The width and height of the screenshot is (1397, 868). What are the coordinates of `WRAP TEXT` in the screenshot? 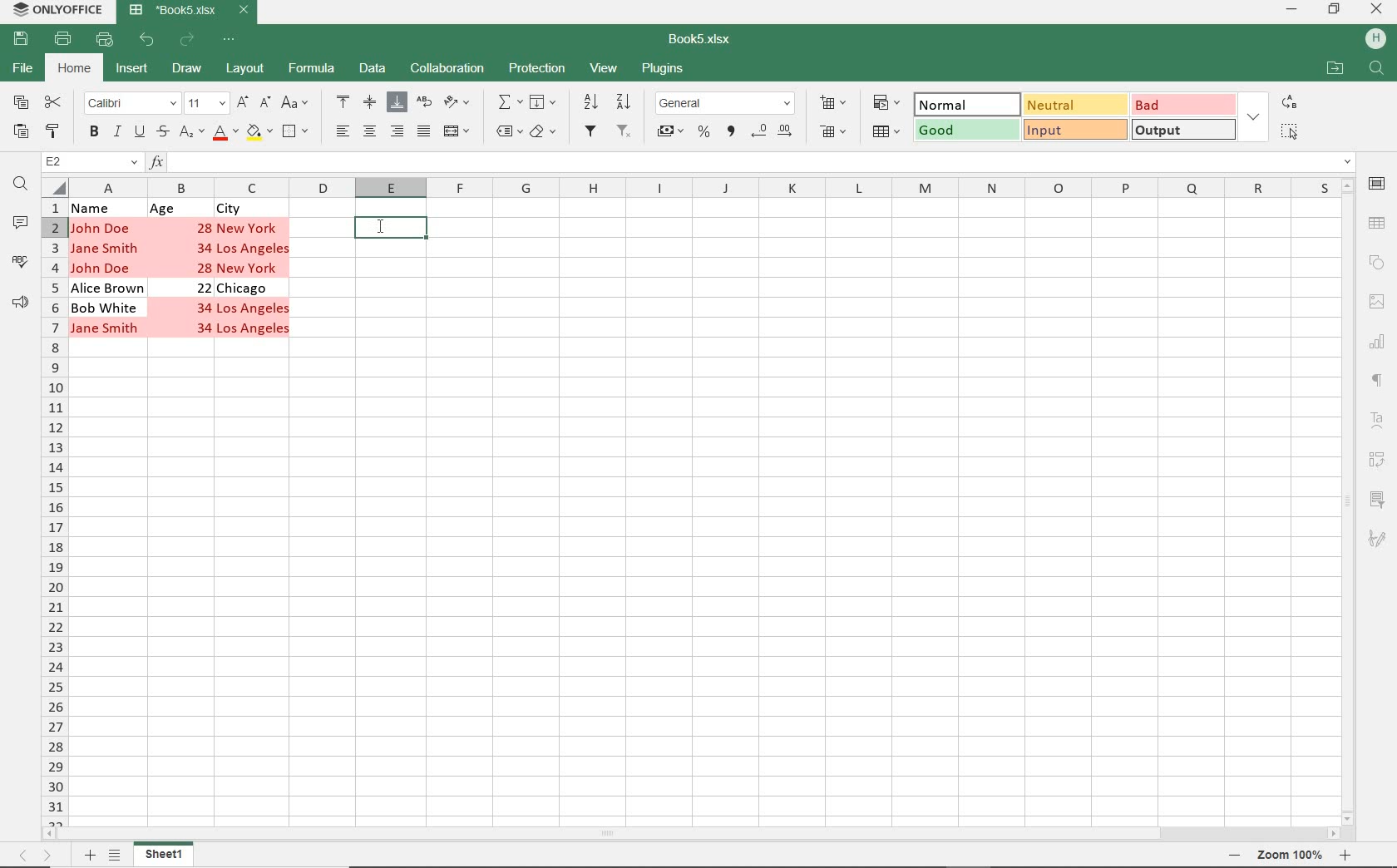 It's located at (425, 106).